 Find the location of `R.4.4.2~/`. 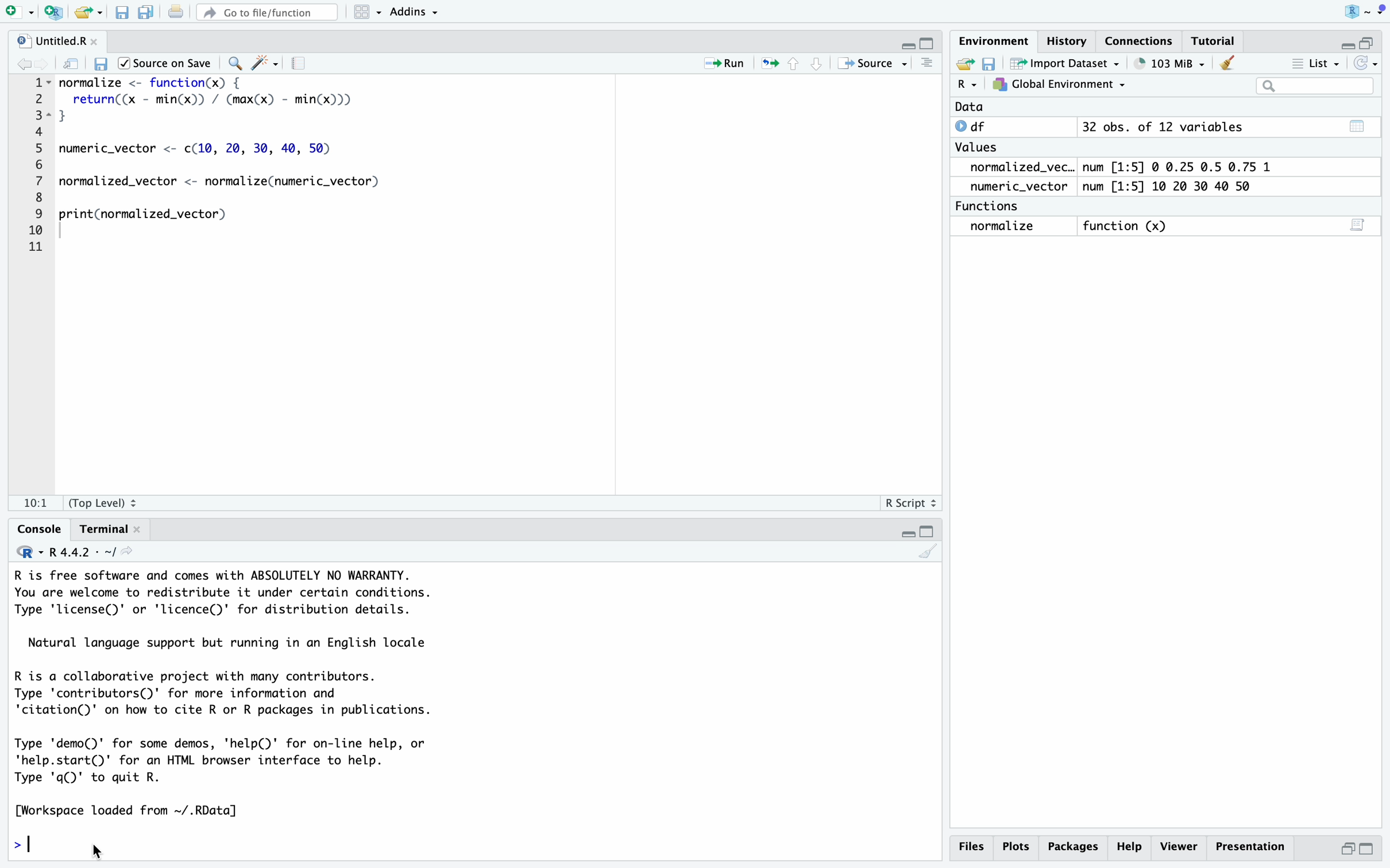

R.4.4.2~/ is located at coordinates (80, 552).